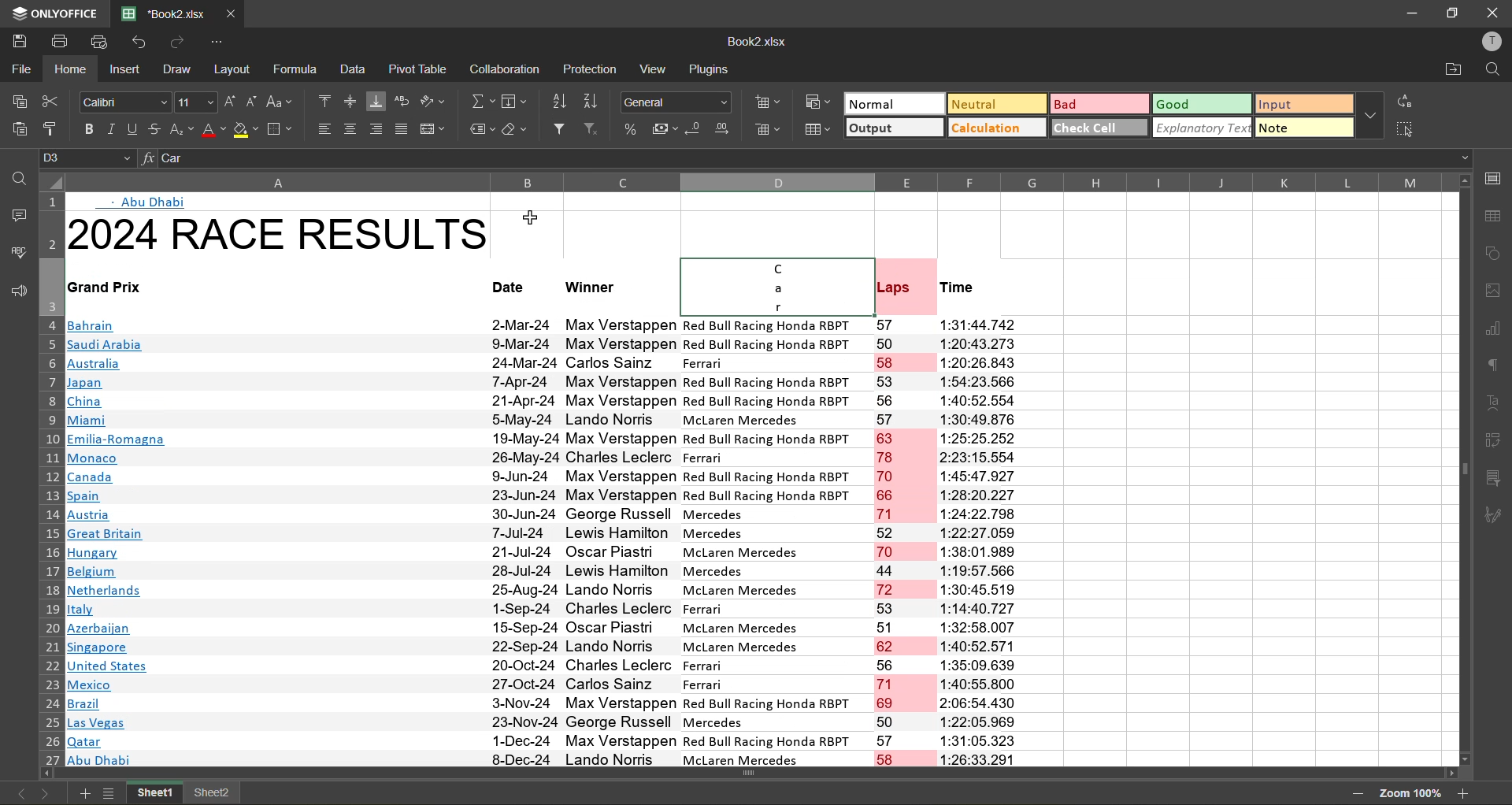 The height and width of the screenshot is (805, 1512). Describe the element at coordinates (417, 71) in the screenshot. I see `pivot table` at that location.